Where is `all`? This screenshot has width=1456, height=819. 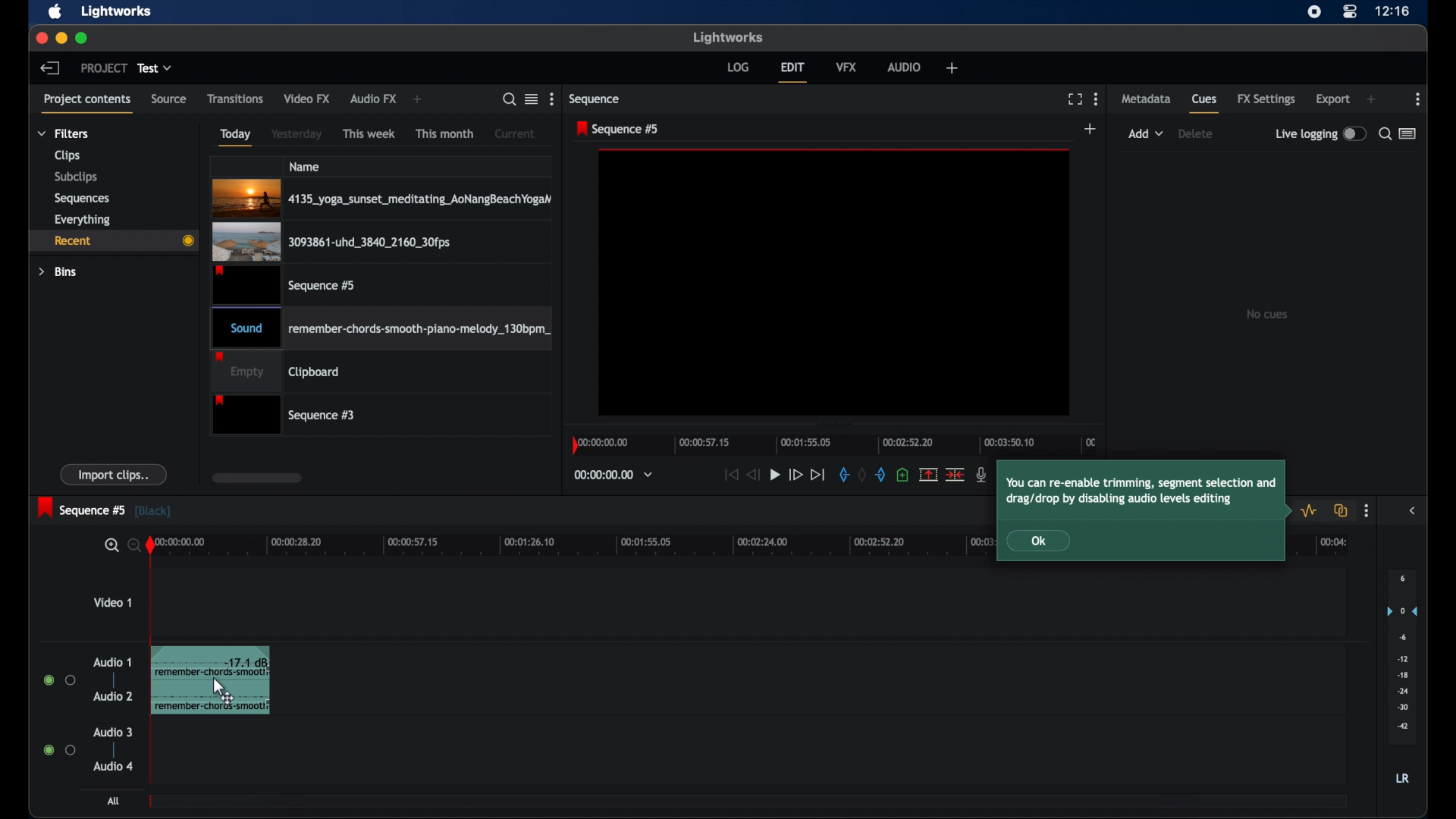 all is located at coordinates (115, 801).